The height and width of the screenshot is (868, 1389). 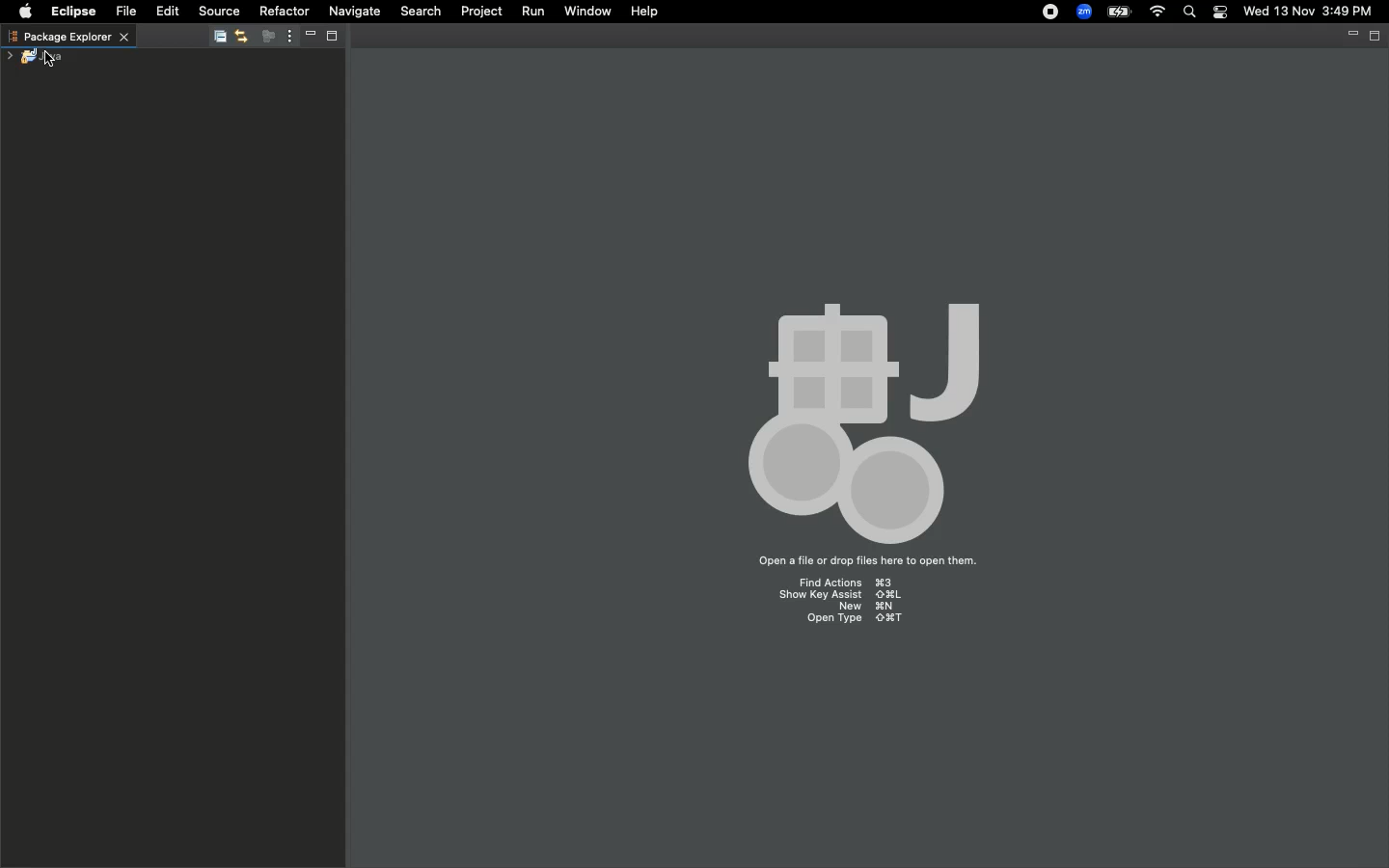 What do you see at coordinates (862, 424) in the screenshot?
I see `Icons` at bounding box center [862, 424].